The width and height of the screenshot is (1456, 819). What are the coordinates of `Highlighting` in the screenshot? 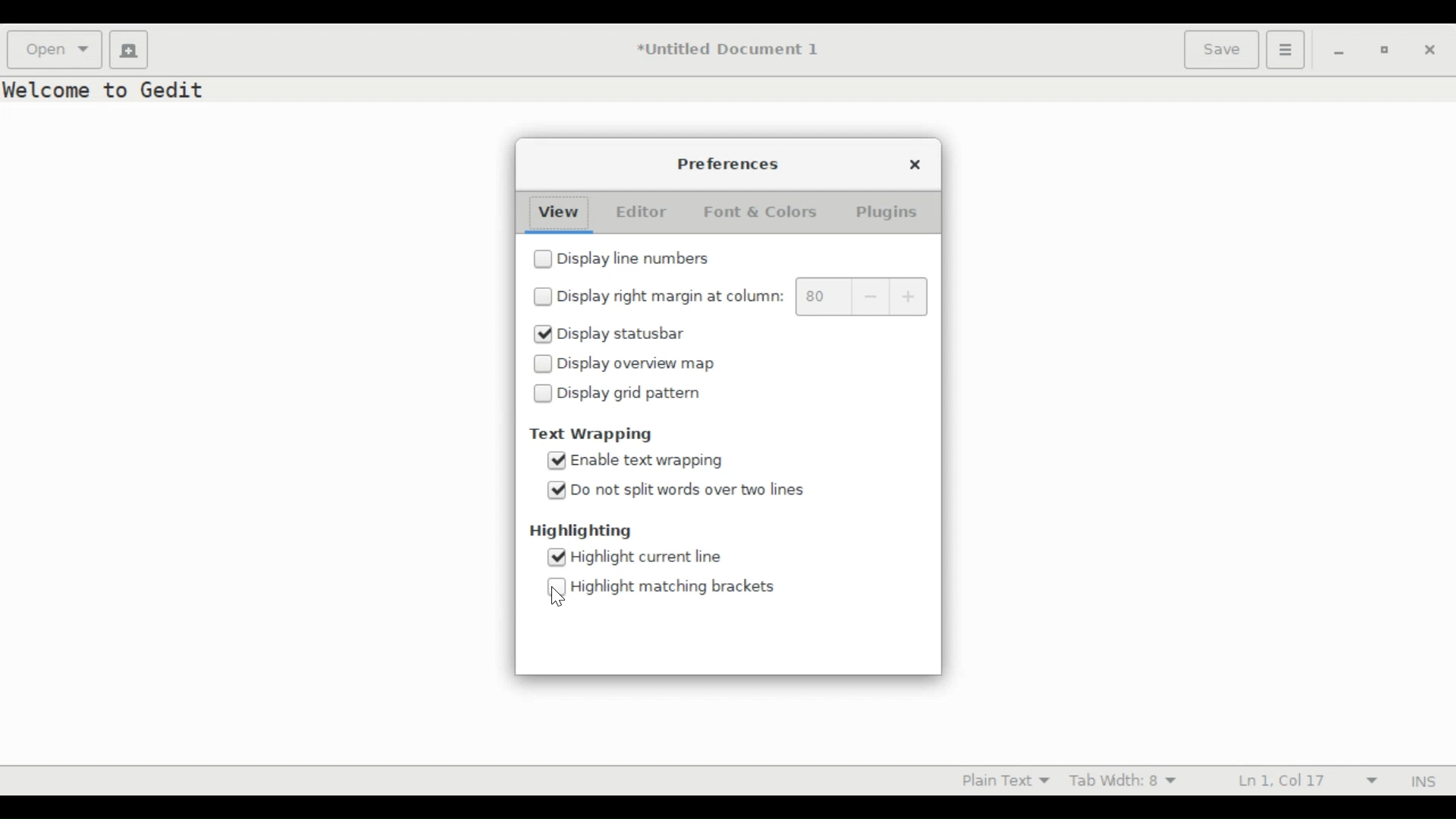 It's located at (577, 531).